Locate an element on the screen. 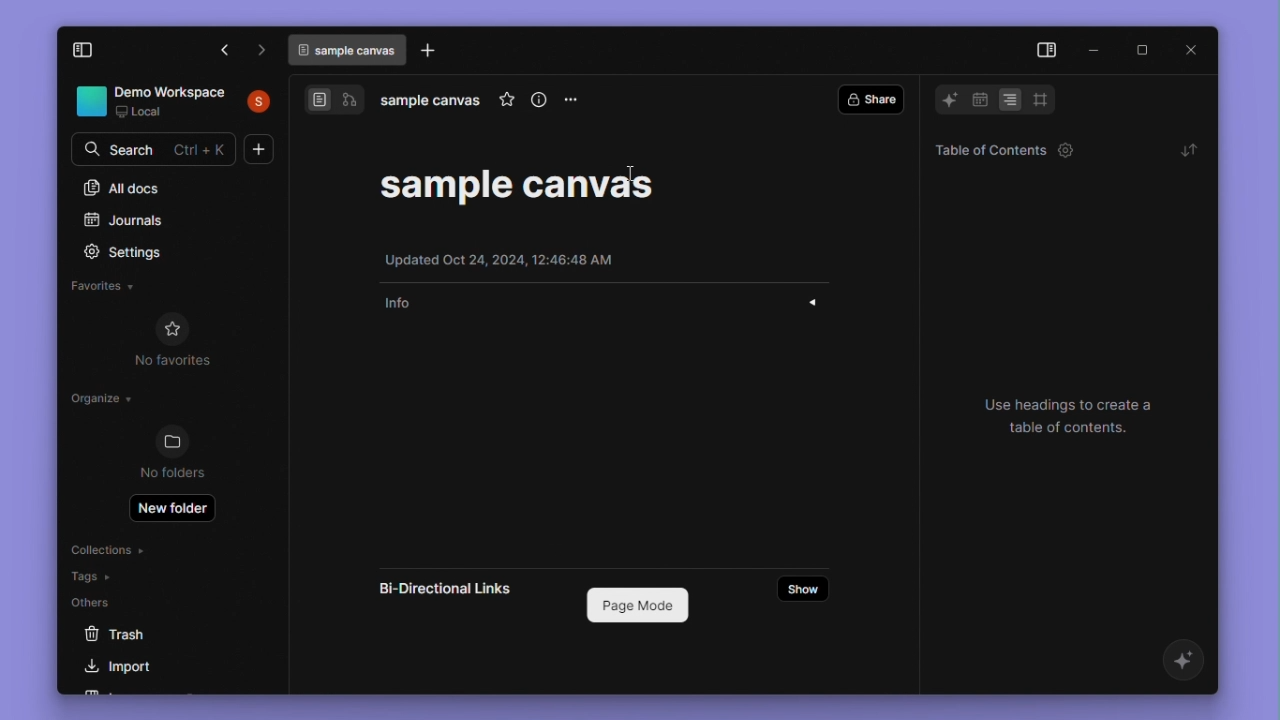  collapse side pane is located at coordinates (95, 51).